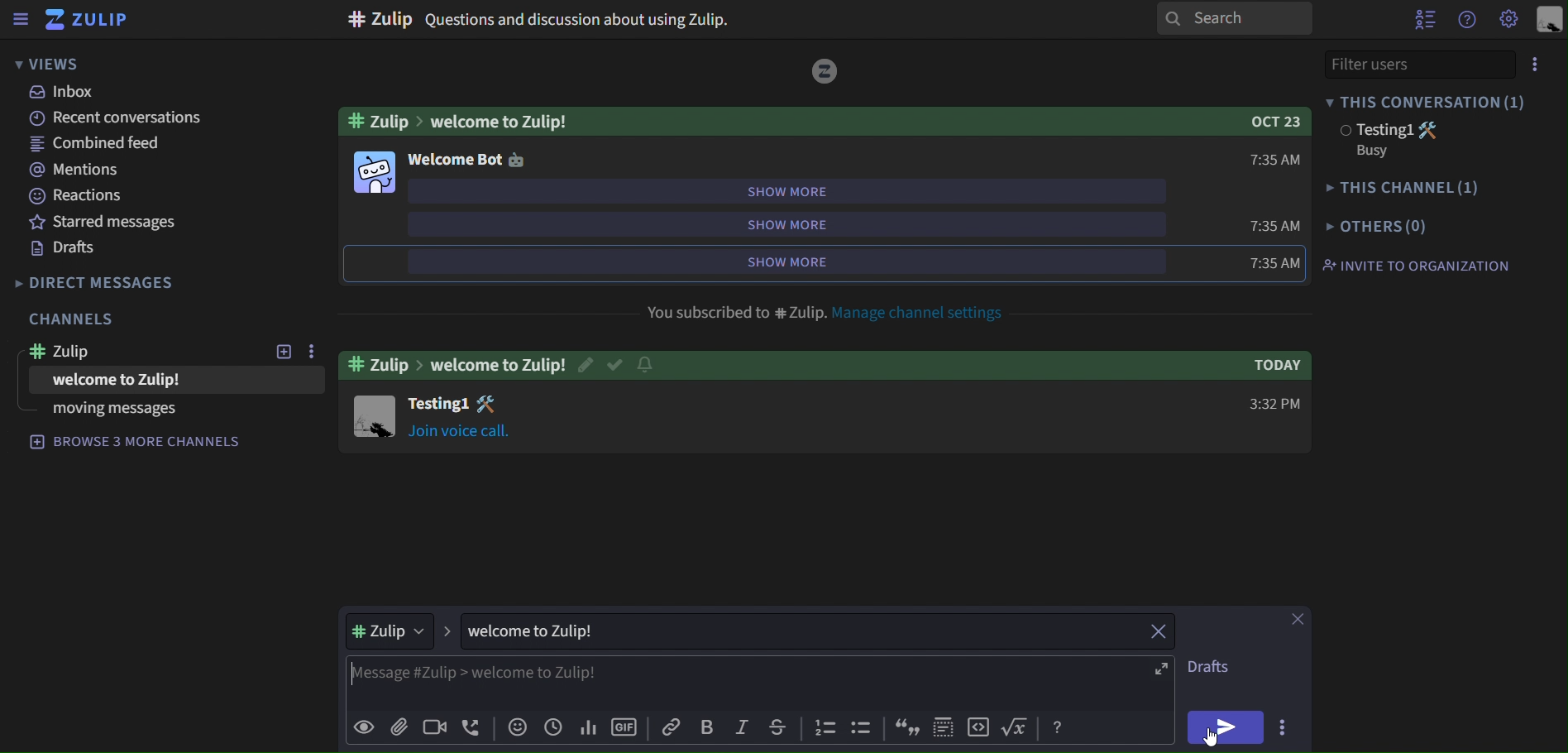 The image size is (1568, 753). I want to click on strikethrough, so click(777, 727).